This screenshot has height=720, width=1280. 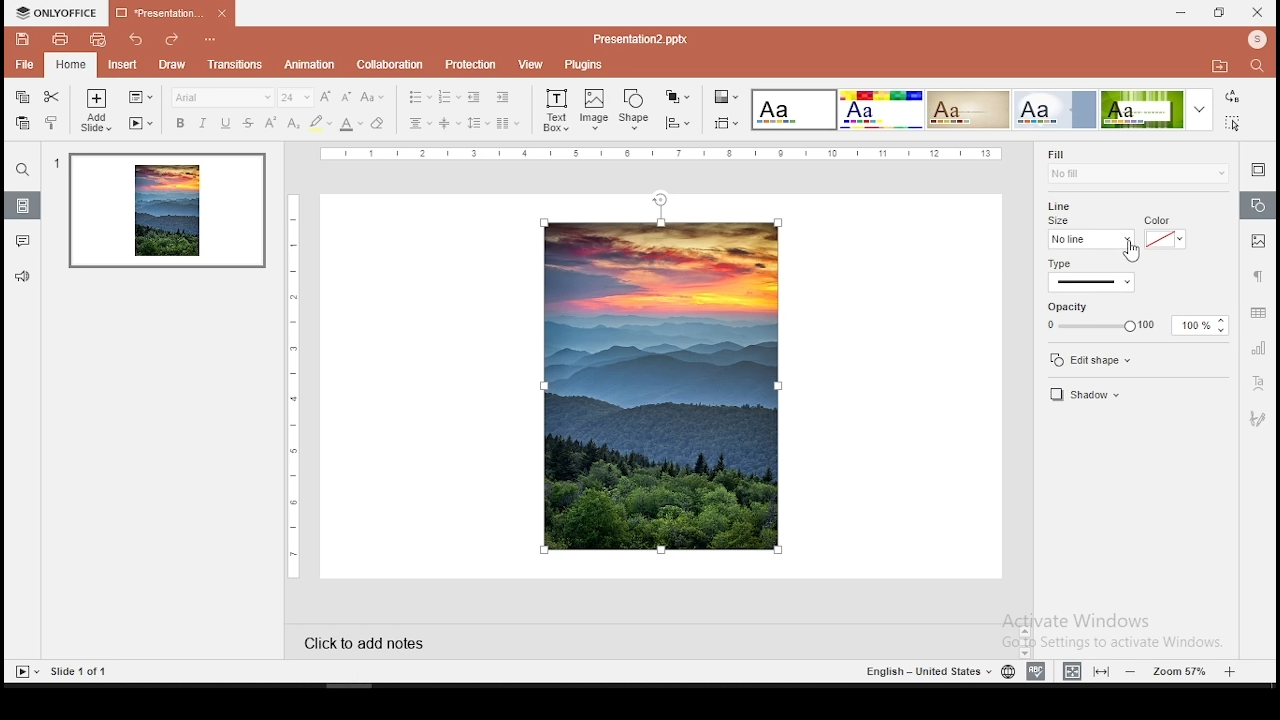 I want to click on theme , so click(x=968, y=110).